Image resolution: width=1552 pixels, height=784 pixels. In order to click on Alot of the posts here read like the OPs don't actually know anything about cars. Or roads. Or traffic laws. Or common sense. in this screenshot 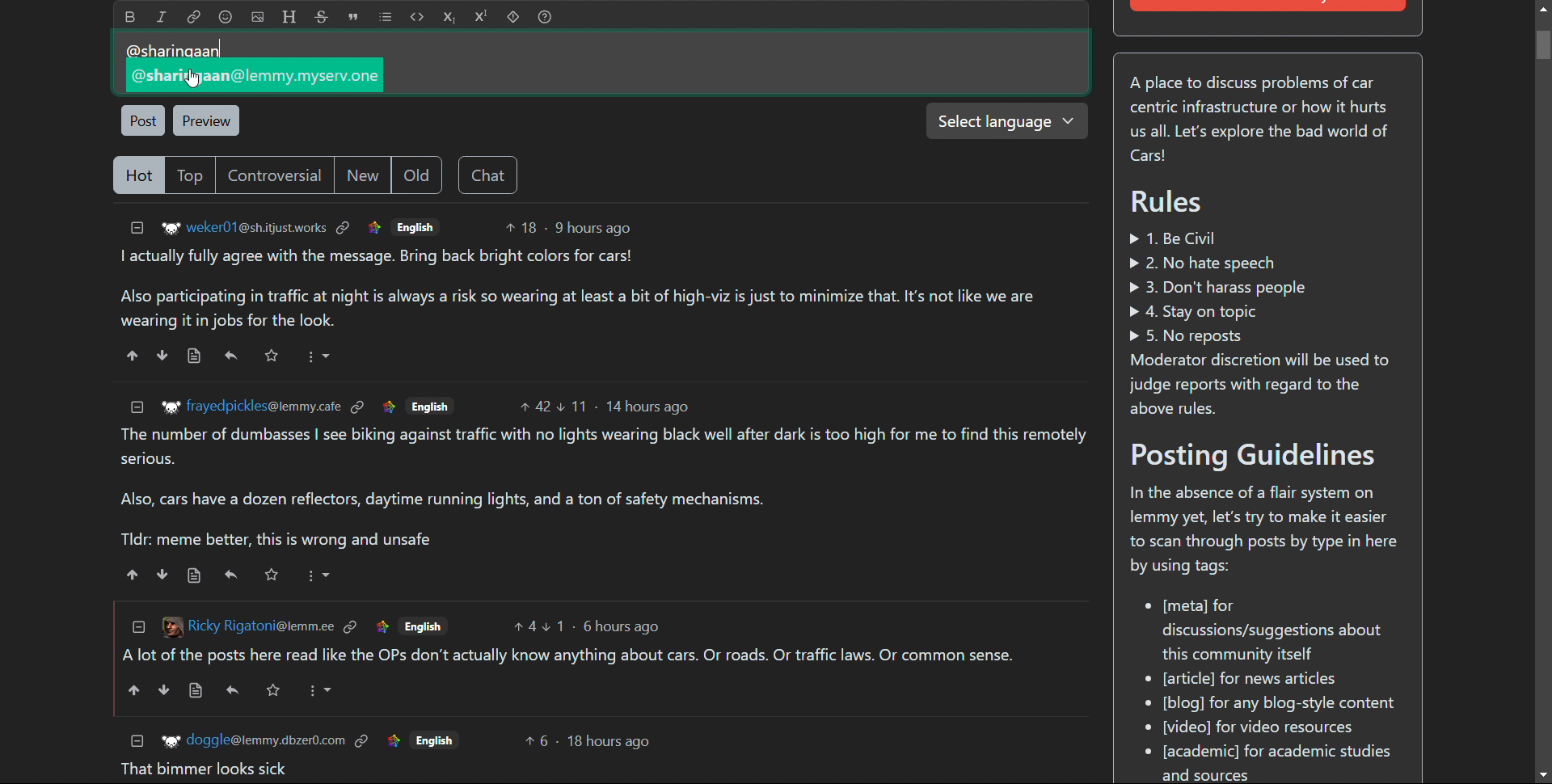, I will do `click(571, 657)`.